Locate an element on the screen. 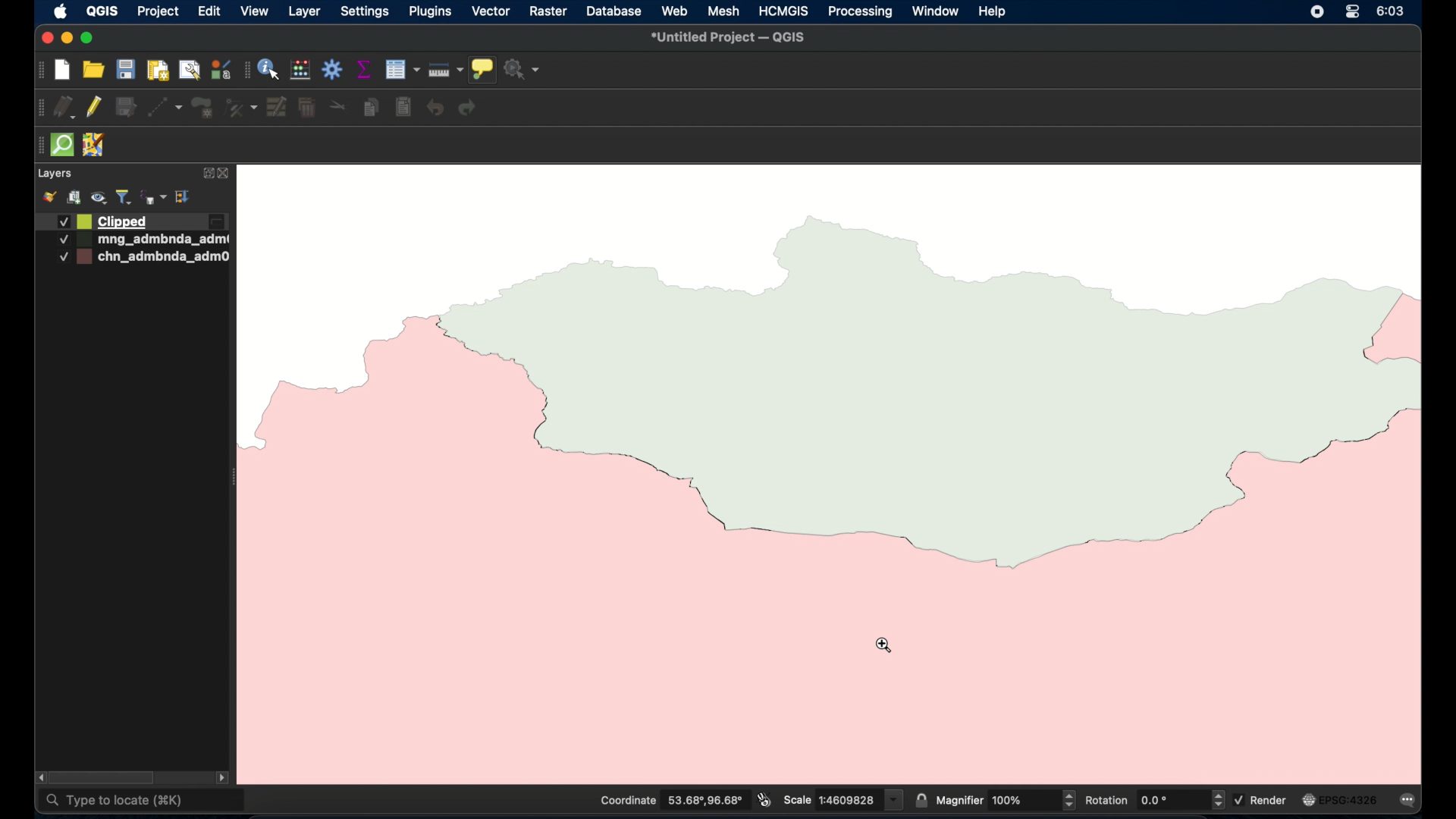  rotation is located at coordinates (1153, 799).